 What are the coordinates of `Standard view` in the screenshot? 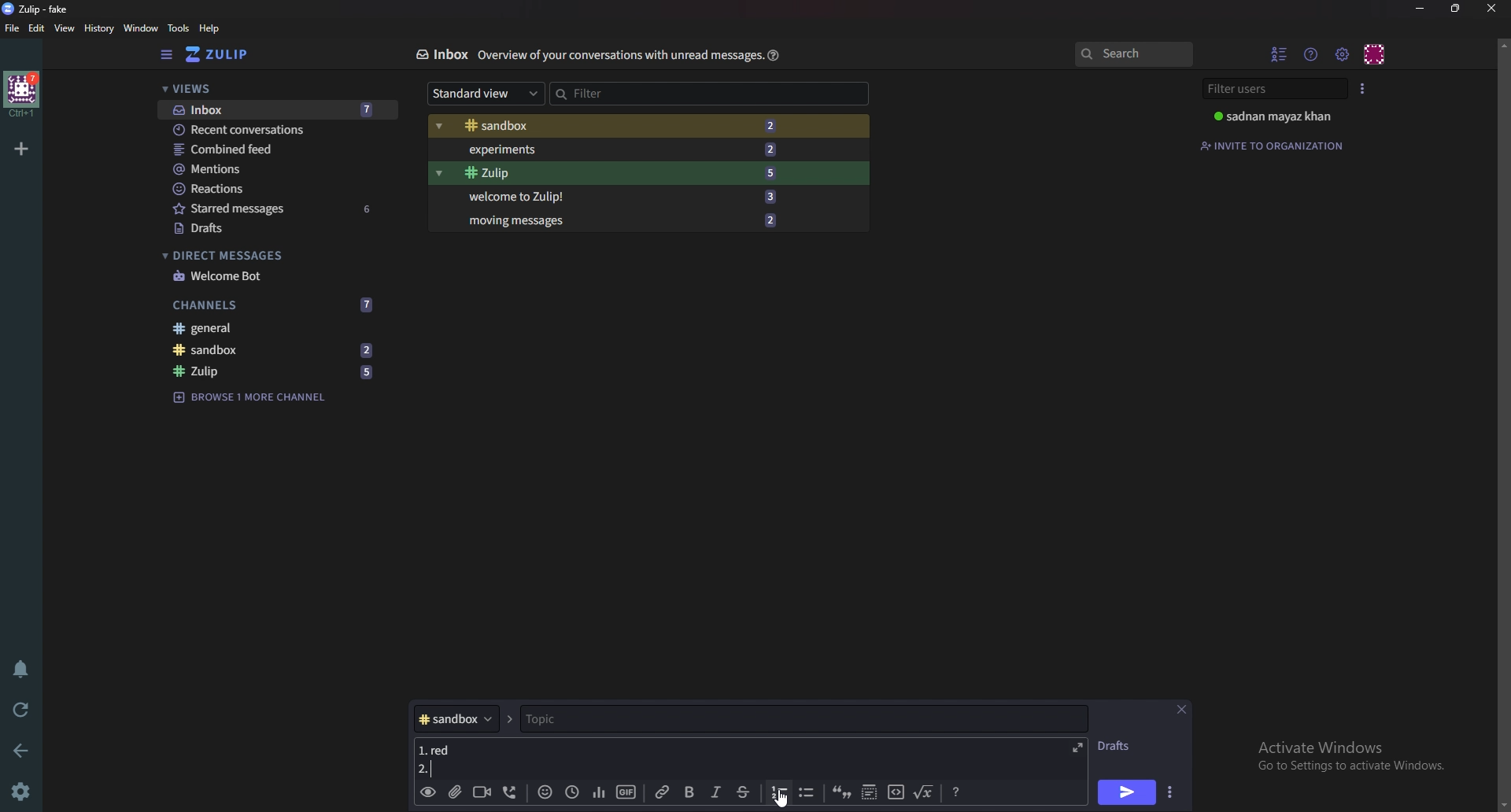 It's located at (481, 94).